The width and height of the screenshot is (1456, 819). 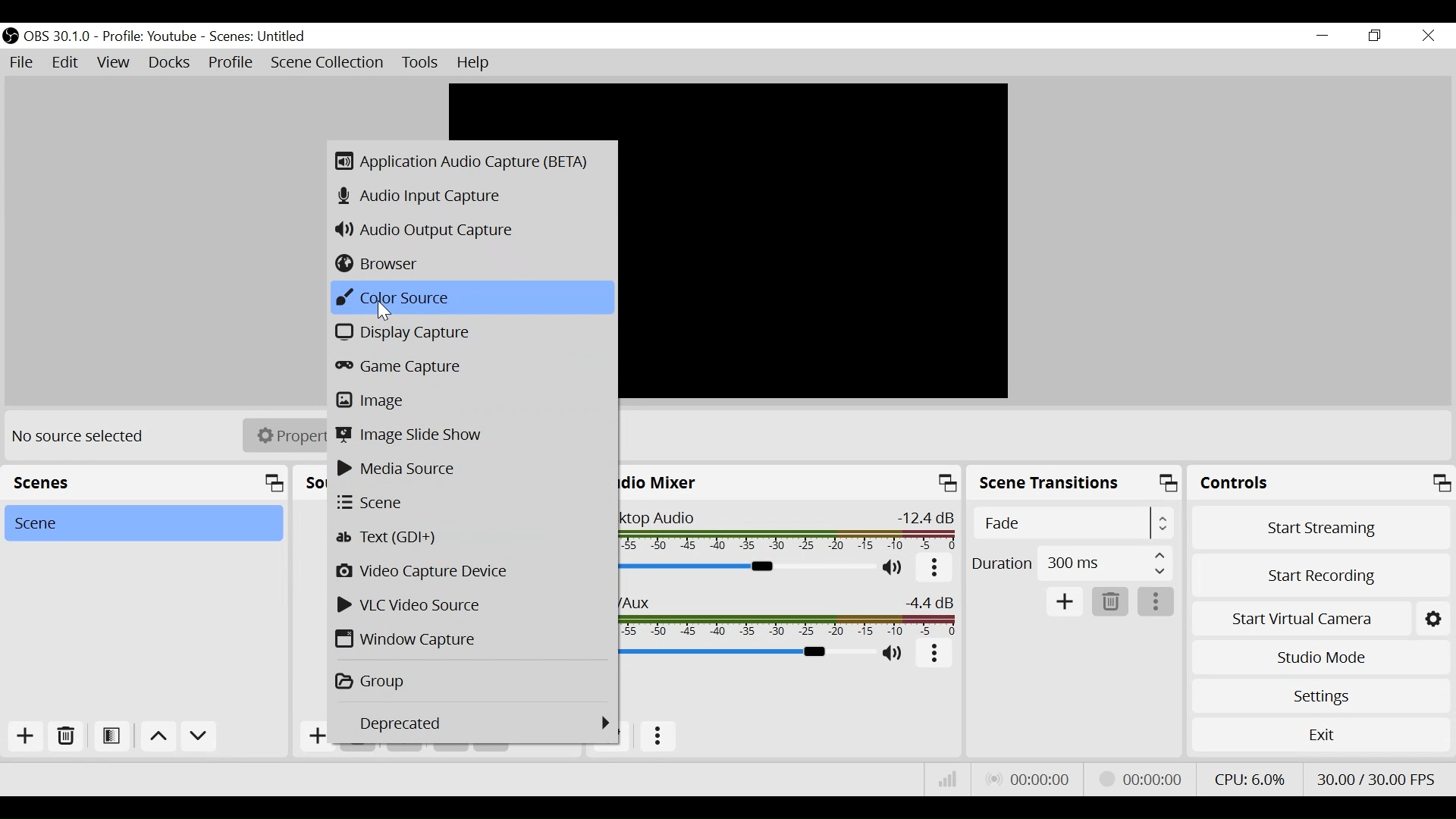 I want to click on Game Capture, so click(x=470, y=366).